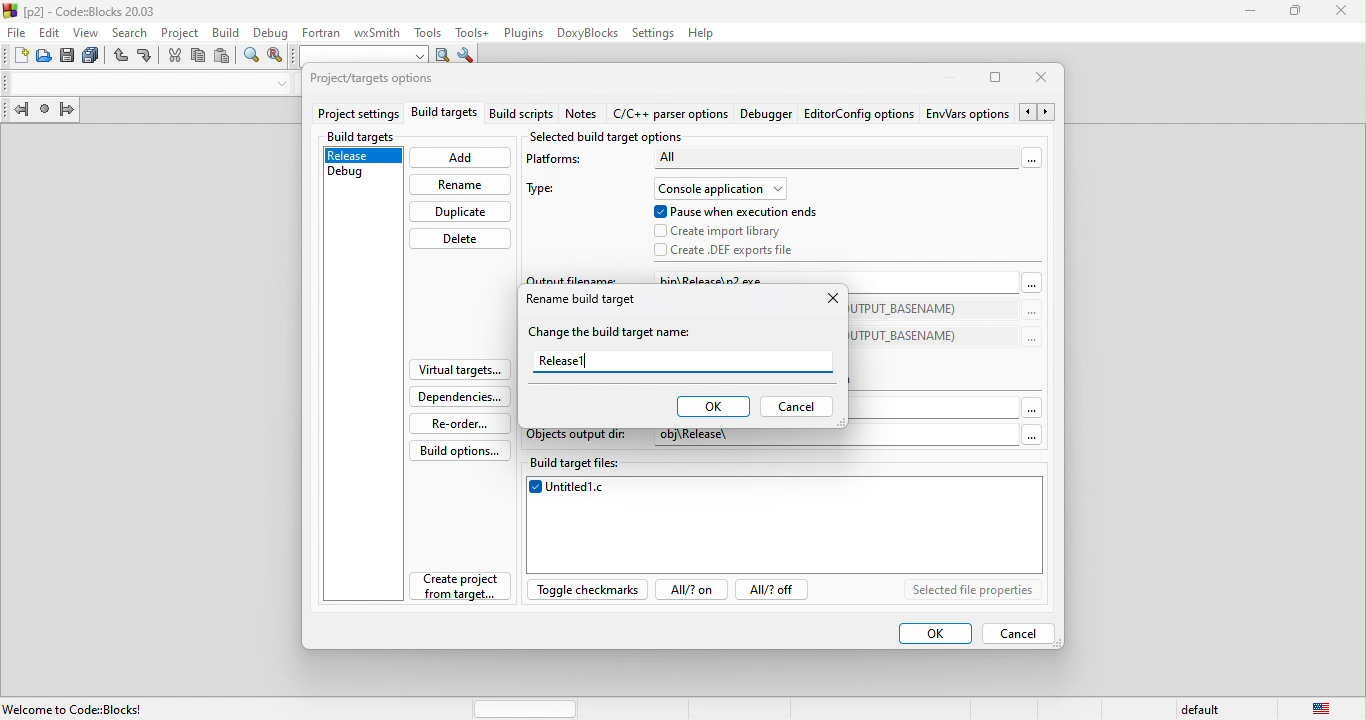 The width and height of the screenshot is (1366, 720). What do you see at coordinates (910, 310) in the screenshot?
I see `(TARGET_OUTPUT_DIR)$(TARGET_OUTPUT_BASENAME)` at bounding box center [910, 310].